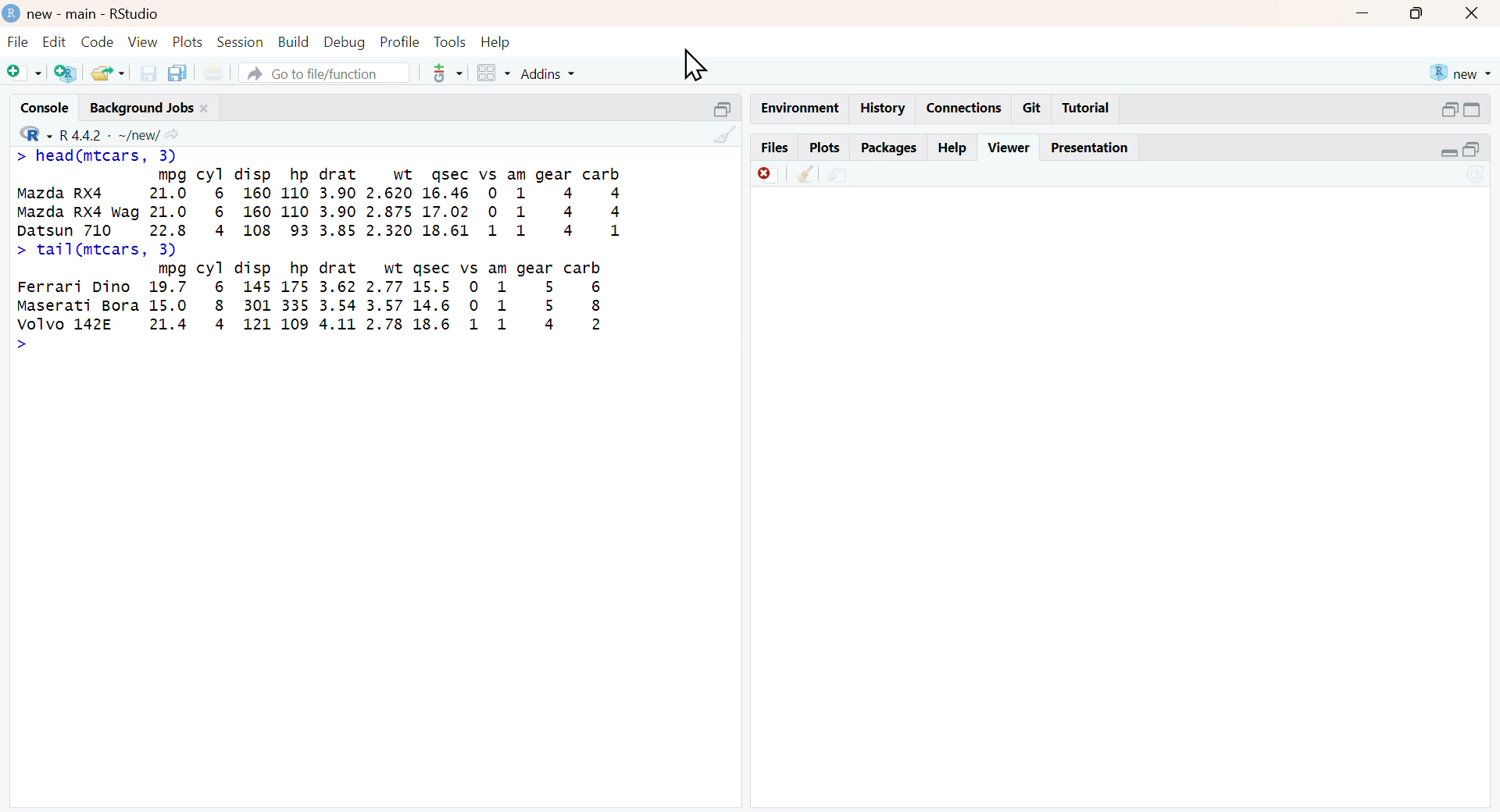 The width and height of the screenshot is (1500, 812). What do you see at coordinates (177, 73) in the screenshot?
I see `Save all open documents` at bounding box center [177, 73].